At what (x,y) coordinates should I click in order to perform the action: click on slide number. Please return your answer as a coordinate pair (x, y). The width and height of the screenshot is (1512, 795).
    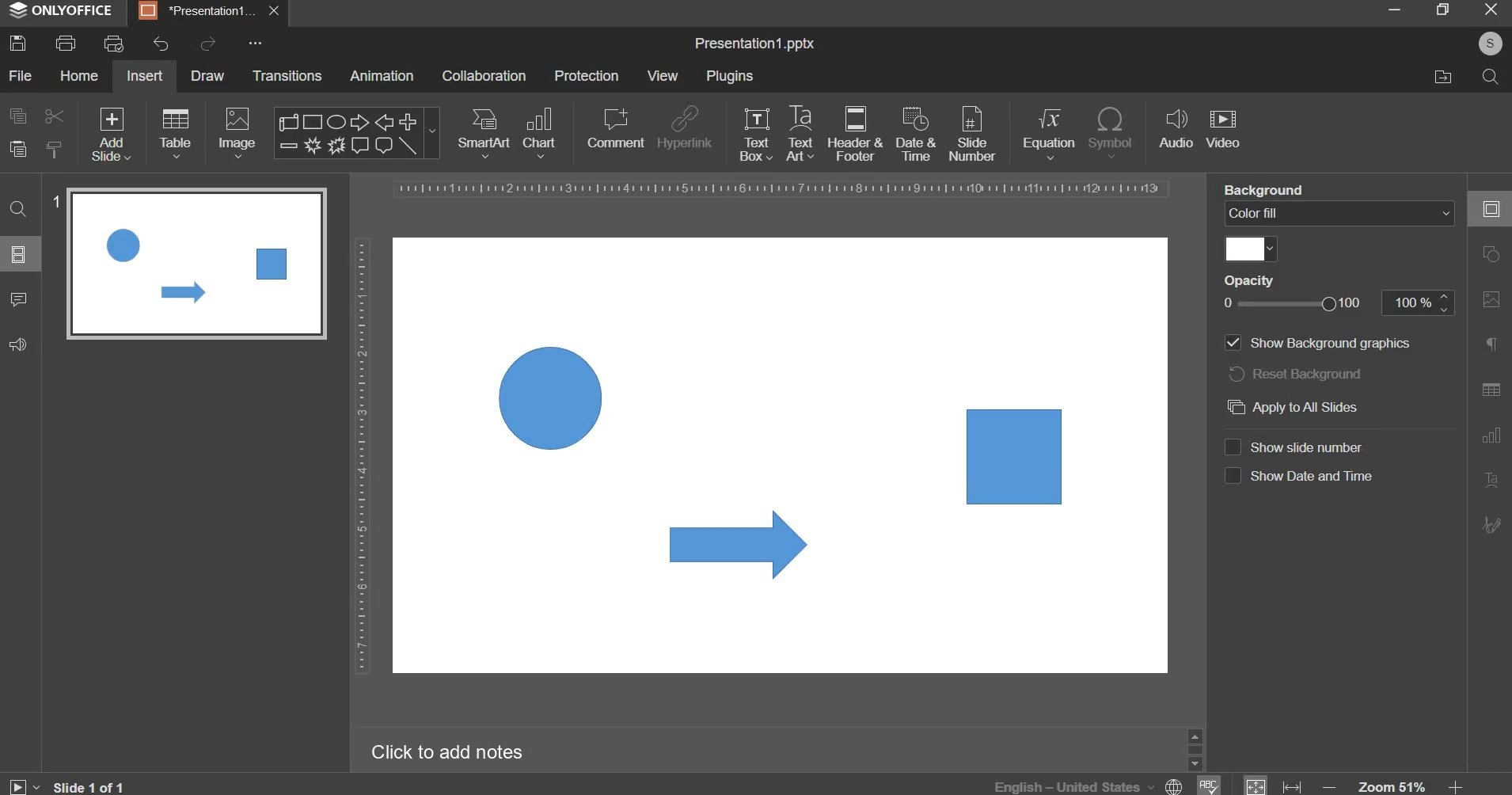
    Looking at the image, I should click on (55, 202).